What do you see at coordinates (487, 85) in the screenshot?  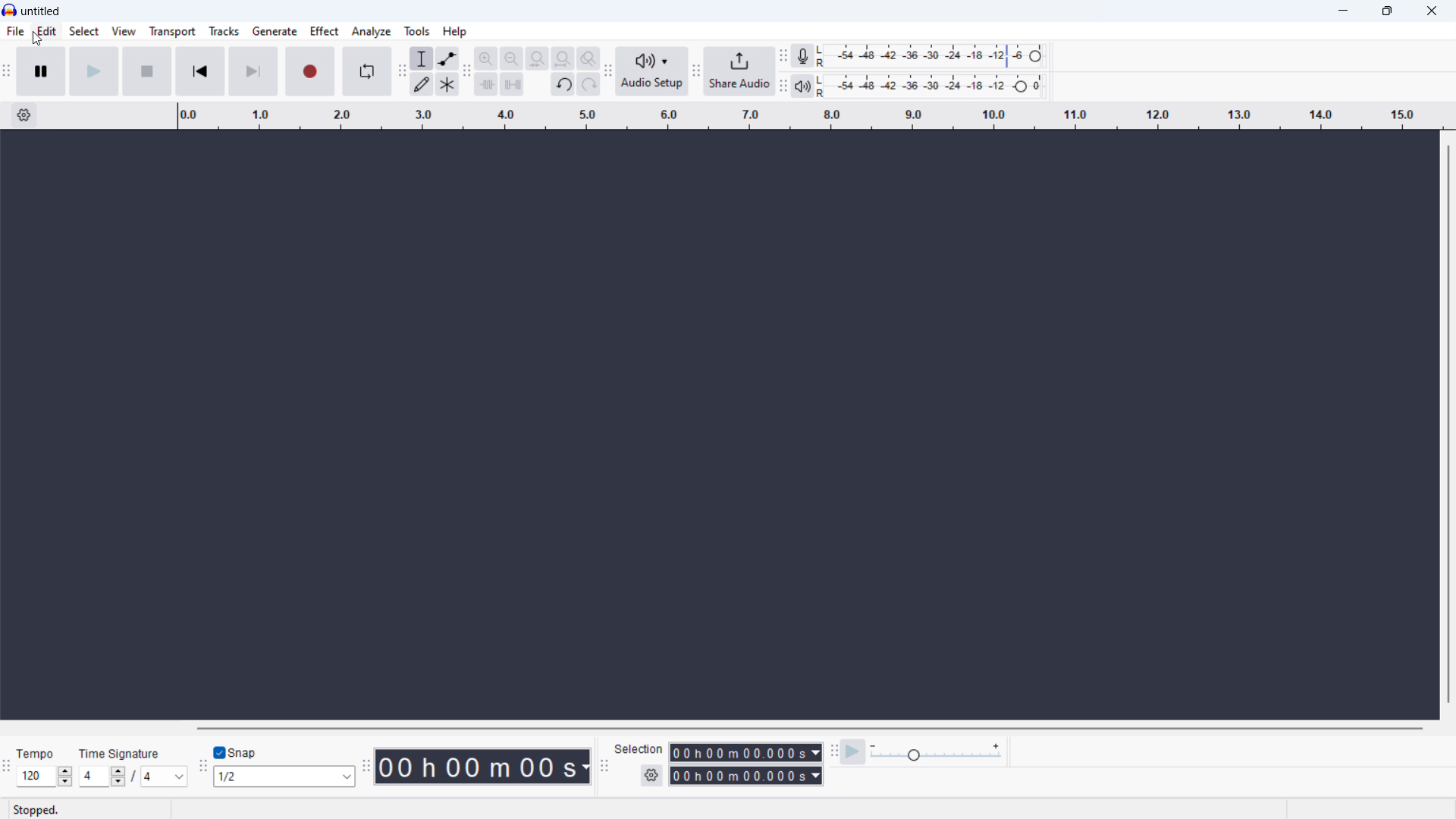 I see `trim audio outside selection` at bounding box center [487, 85].